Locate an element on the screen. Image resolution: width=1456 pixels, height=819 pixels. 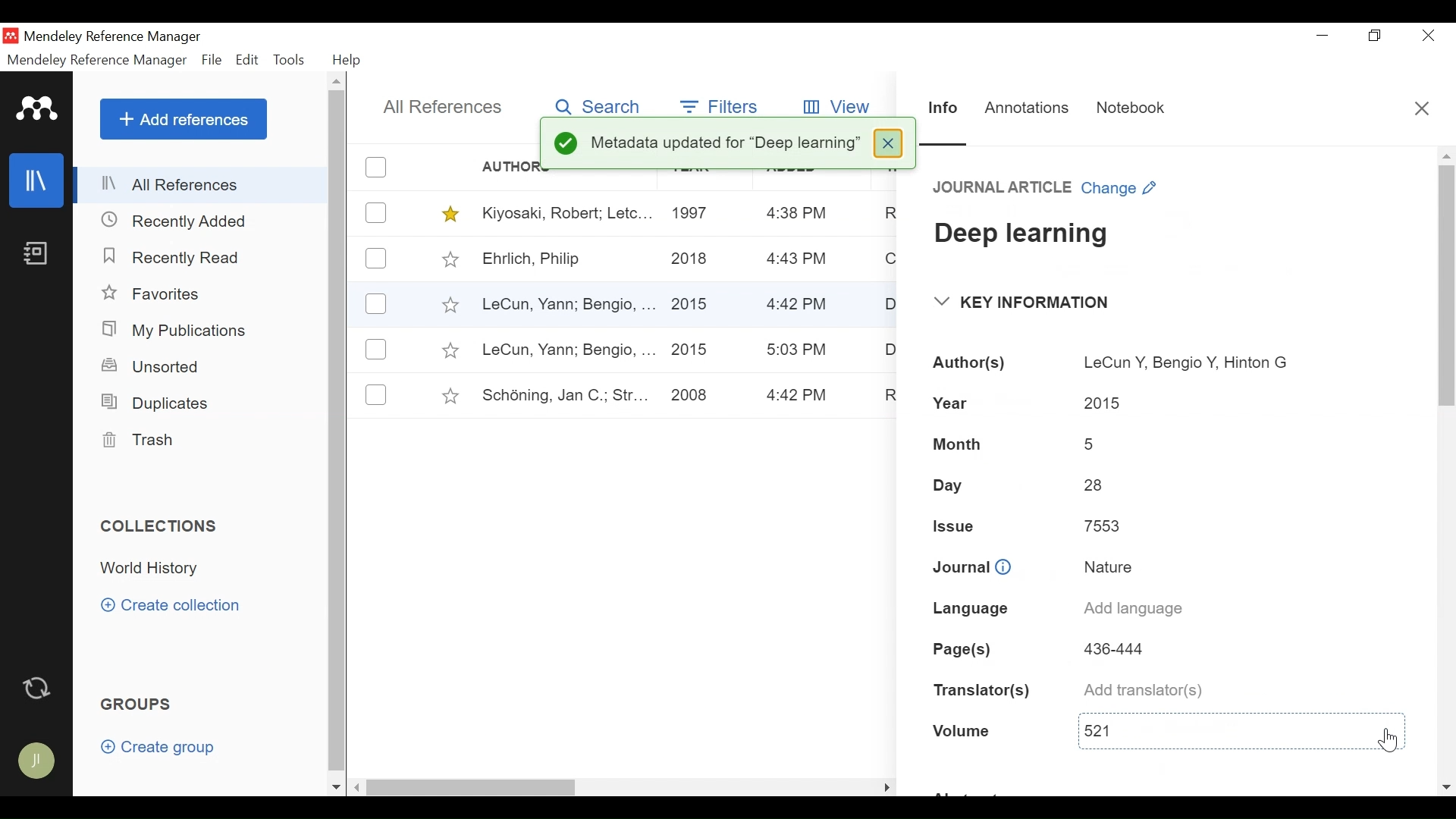
Translator(s) is located at coordinates (983, 691).